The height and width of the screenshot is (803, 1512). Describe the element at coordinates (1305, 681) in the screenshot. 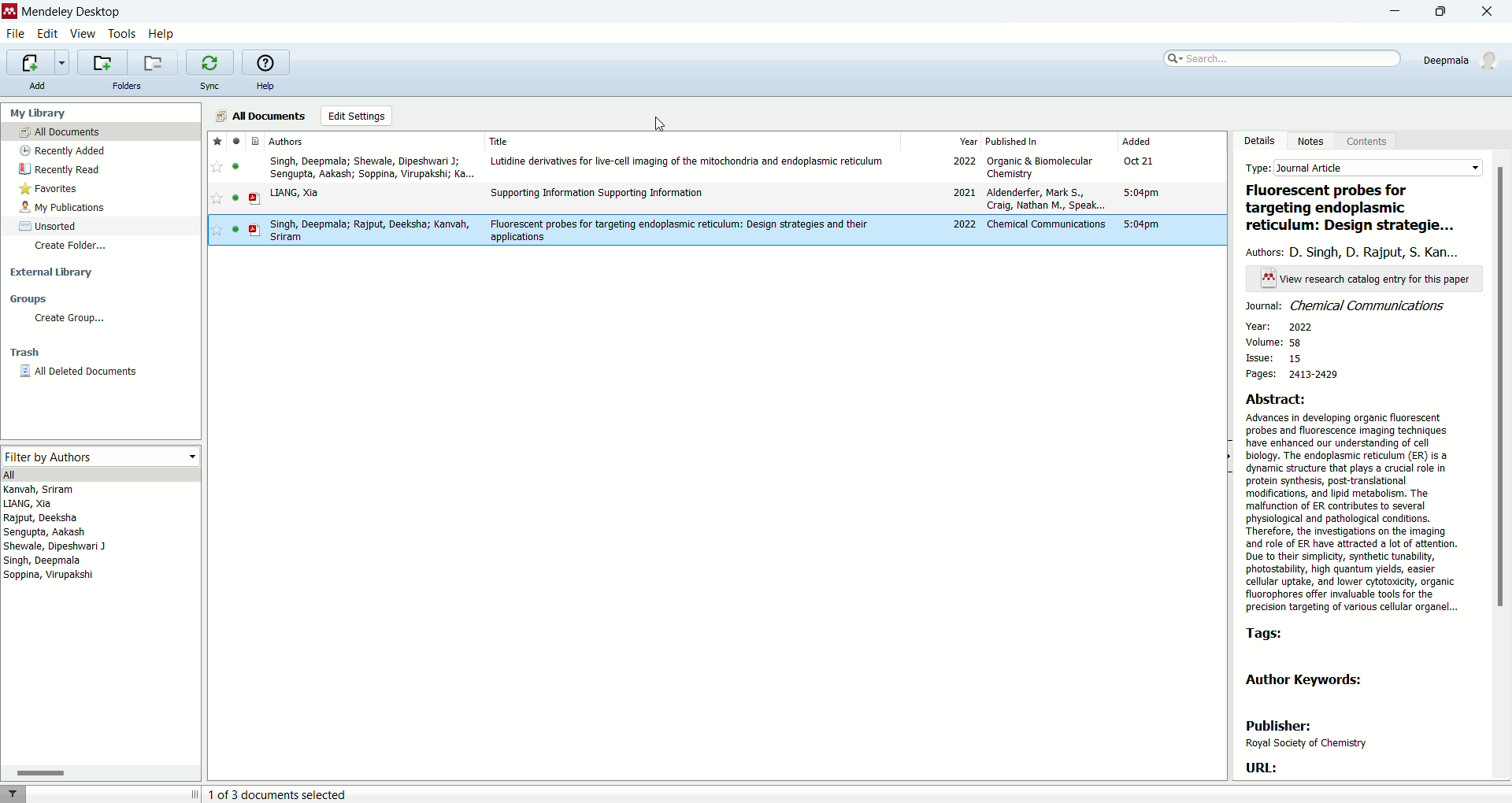

I see `author keywords` at that location.